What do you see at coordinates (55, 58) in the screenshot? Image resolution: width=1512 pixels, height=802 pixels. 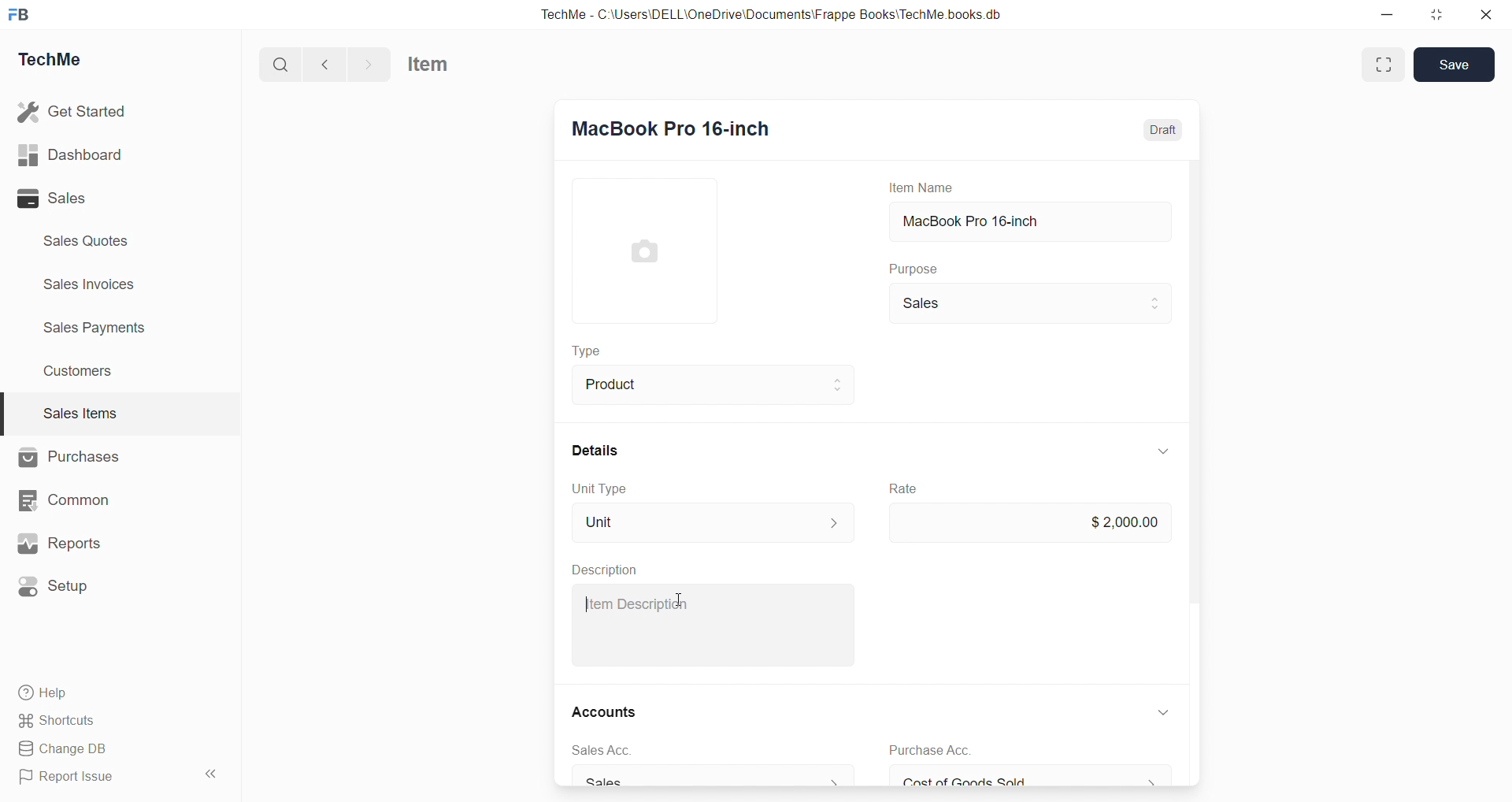 I see `TechMe` at bounding box center [55, 58].